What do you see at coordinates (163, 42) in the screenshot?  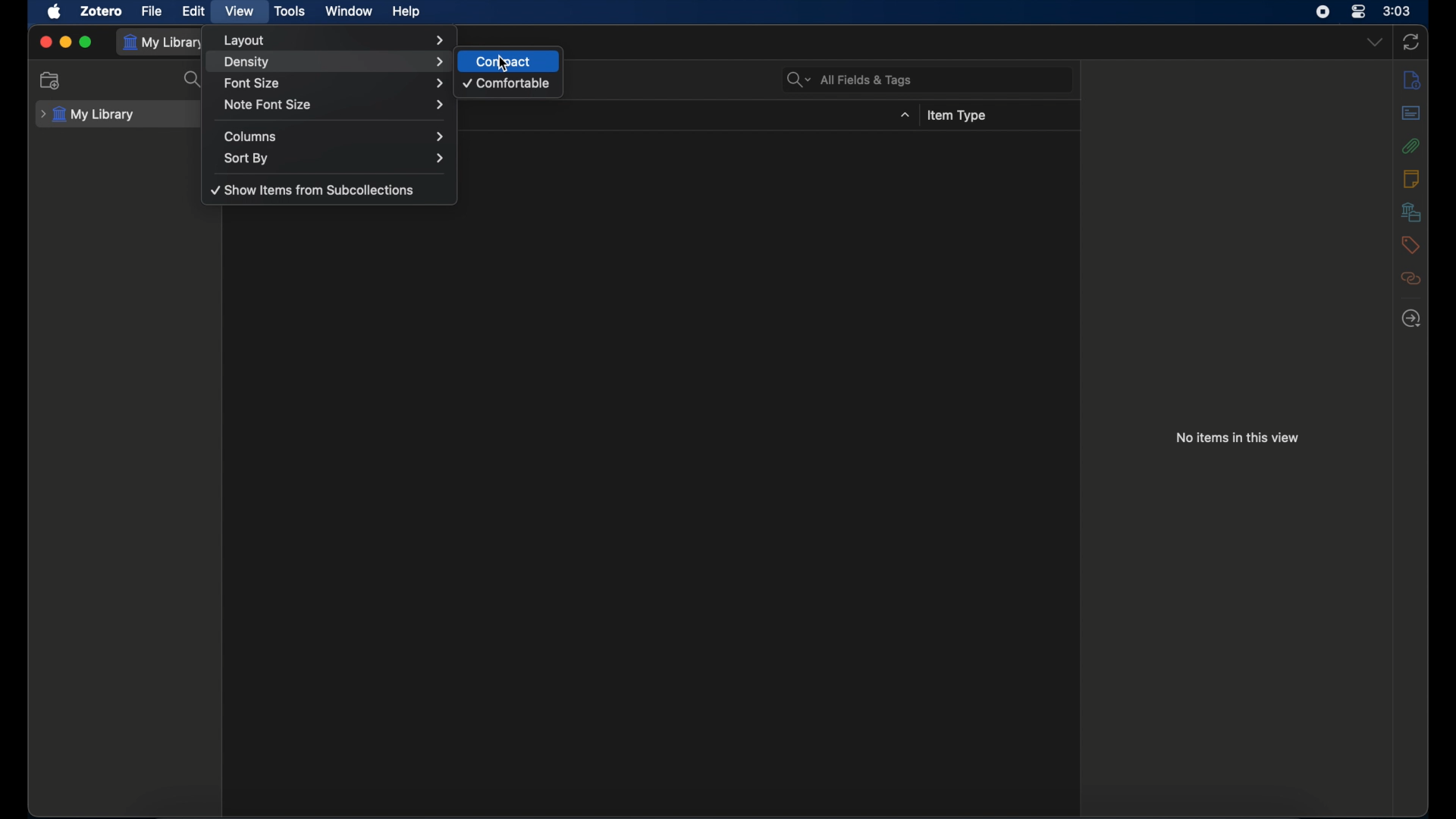 I see `my library` at bounding box center [163, 42].